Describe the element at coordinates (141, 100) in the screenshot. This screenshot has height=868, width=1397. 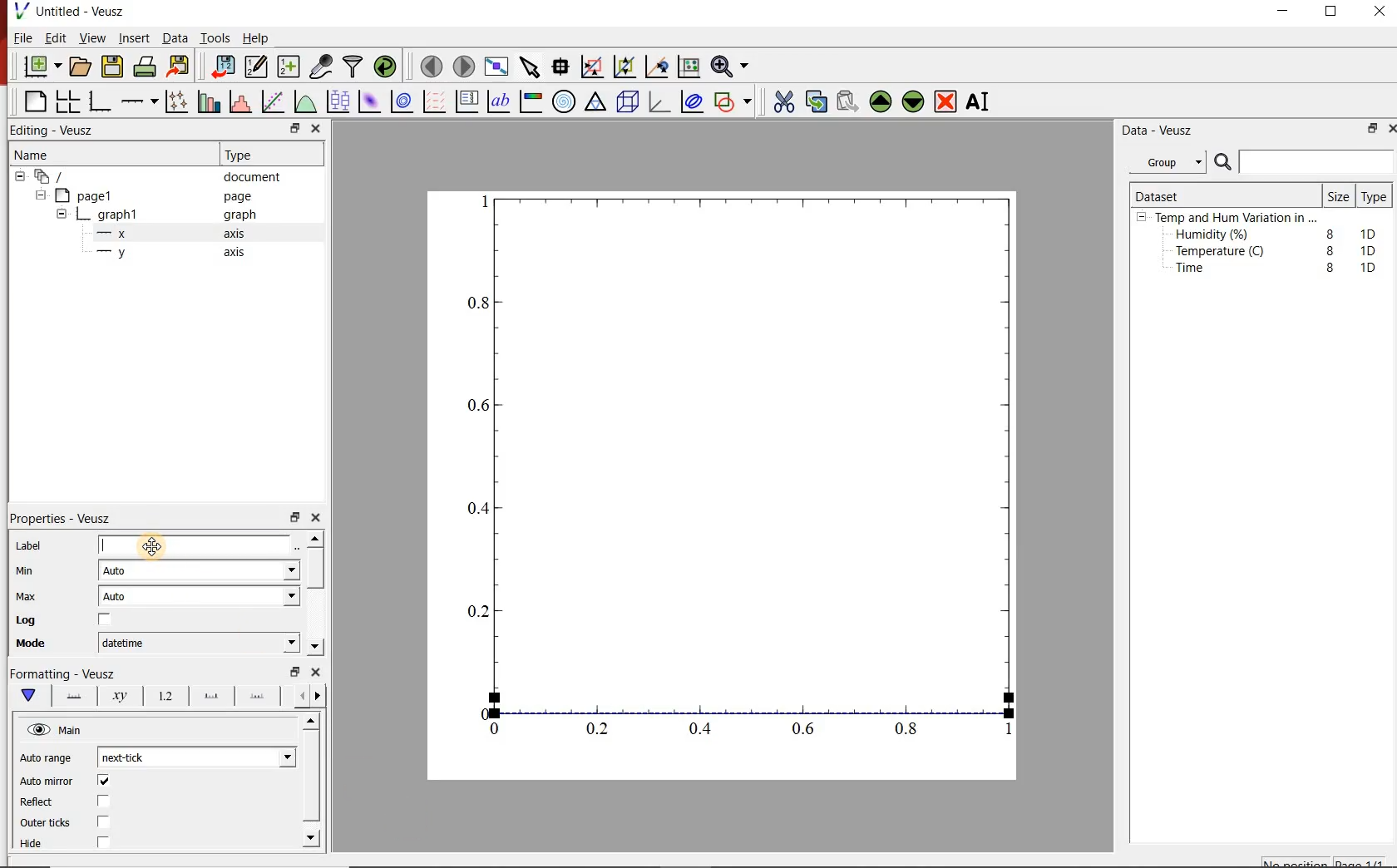
I see `add an axis to a plot` at that location.